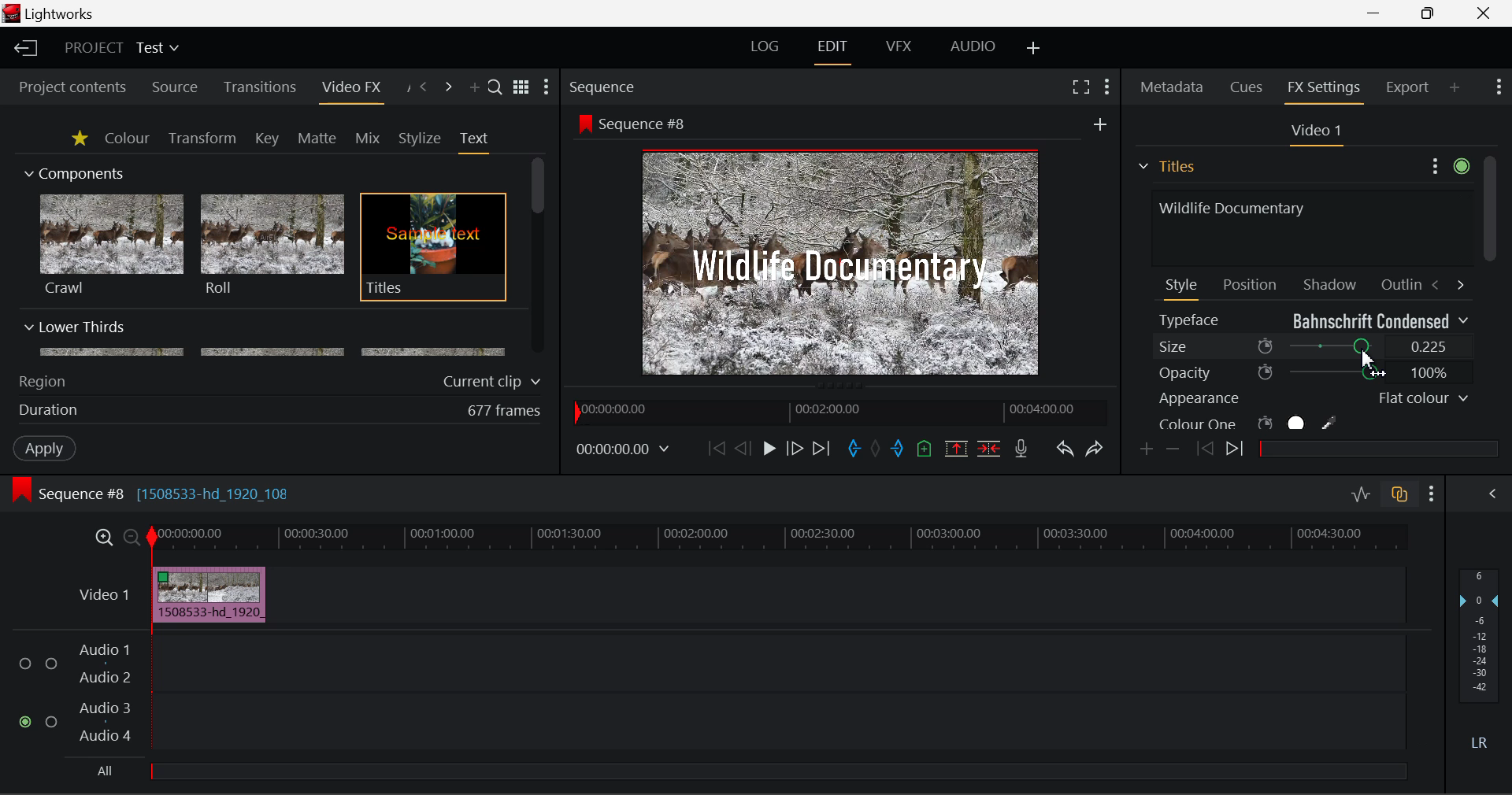  What do you see at coordinates (1375, 11) in the screenshot?
I see `Restore Down` at bounding box center [1375, 11].